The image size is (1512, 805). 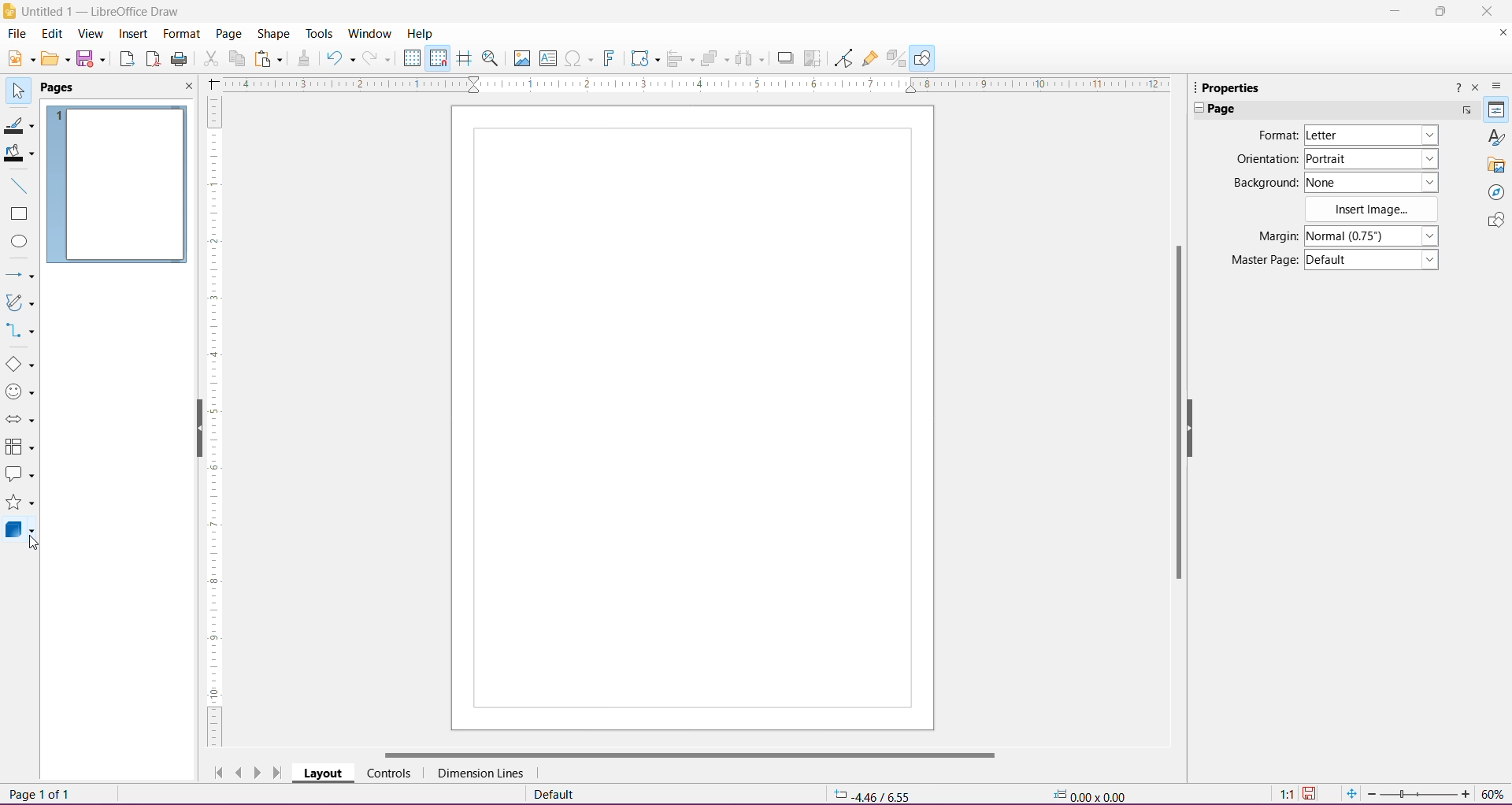 What do you see at coordinates (20, 421) in the screenshot?
I see `Bock Arrows` at bounding box center [20, 421].